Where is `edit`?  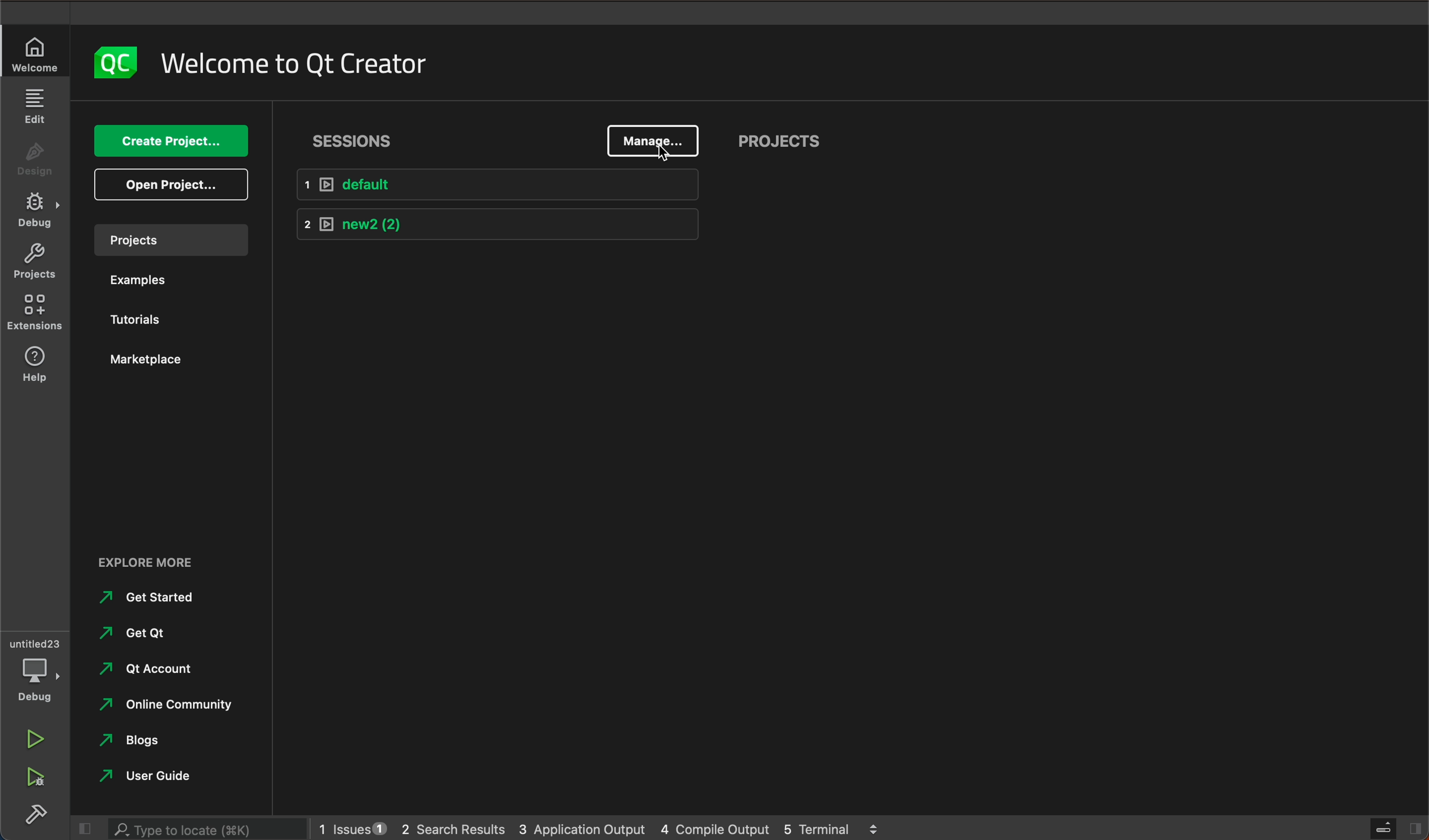
edit is located at coordinates (38, 108).